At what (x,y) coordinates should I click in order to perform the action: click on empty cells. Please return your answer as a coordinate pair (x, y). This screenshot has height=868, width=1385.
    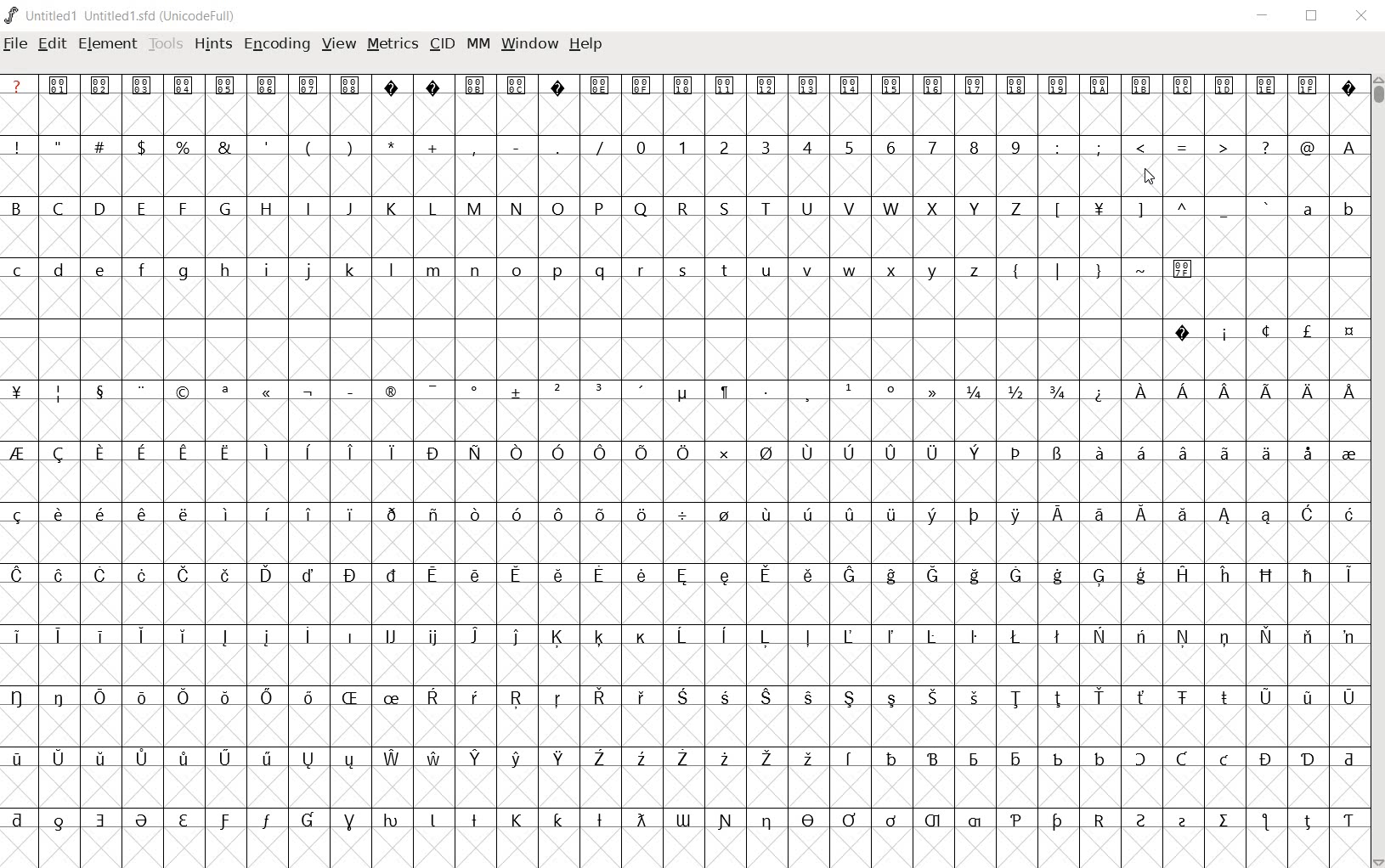
    Looking at the image, I should click on (687, 482).